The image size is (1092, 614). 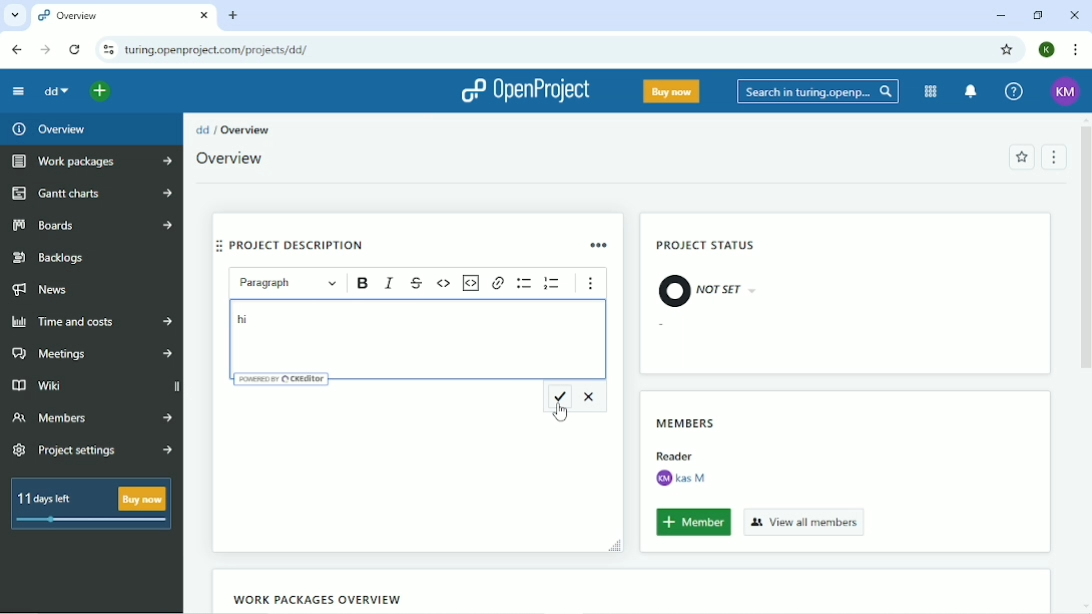 I want to click on Modules, so click(x=930, y=91).